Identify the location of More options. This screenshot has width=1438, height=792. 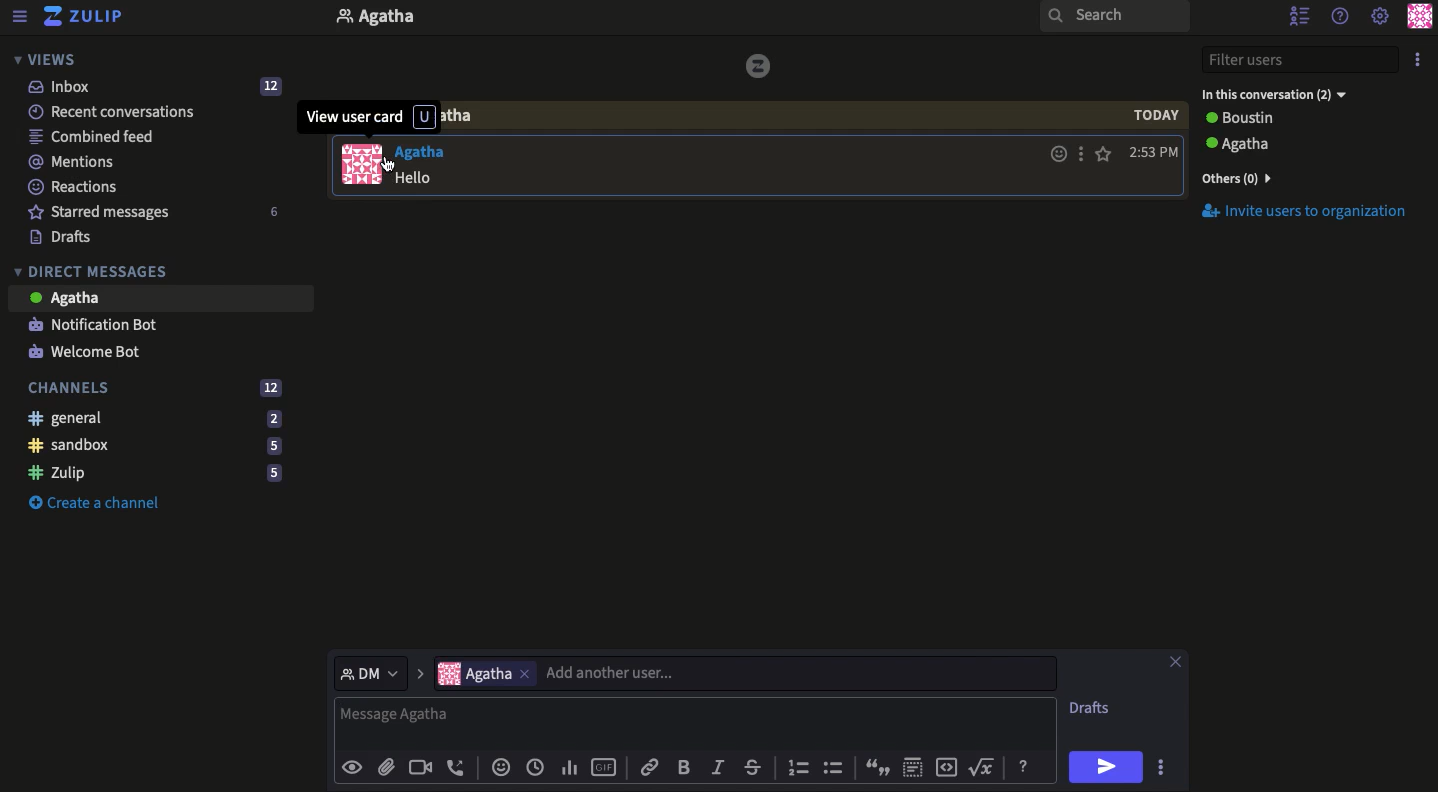
(1419, 58).